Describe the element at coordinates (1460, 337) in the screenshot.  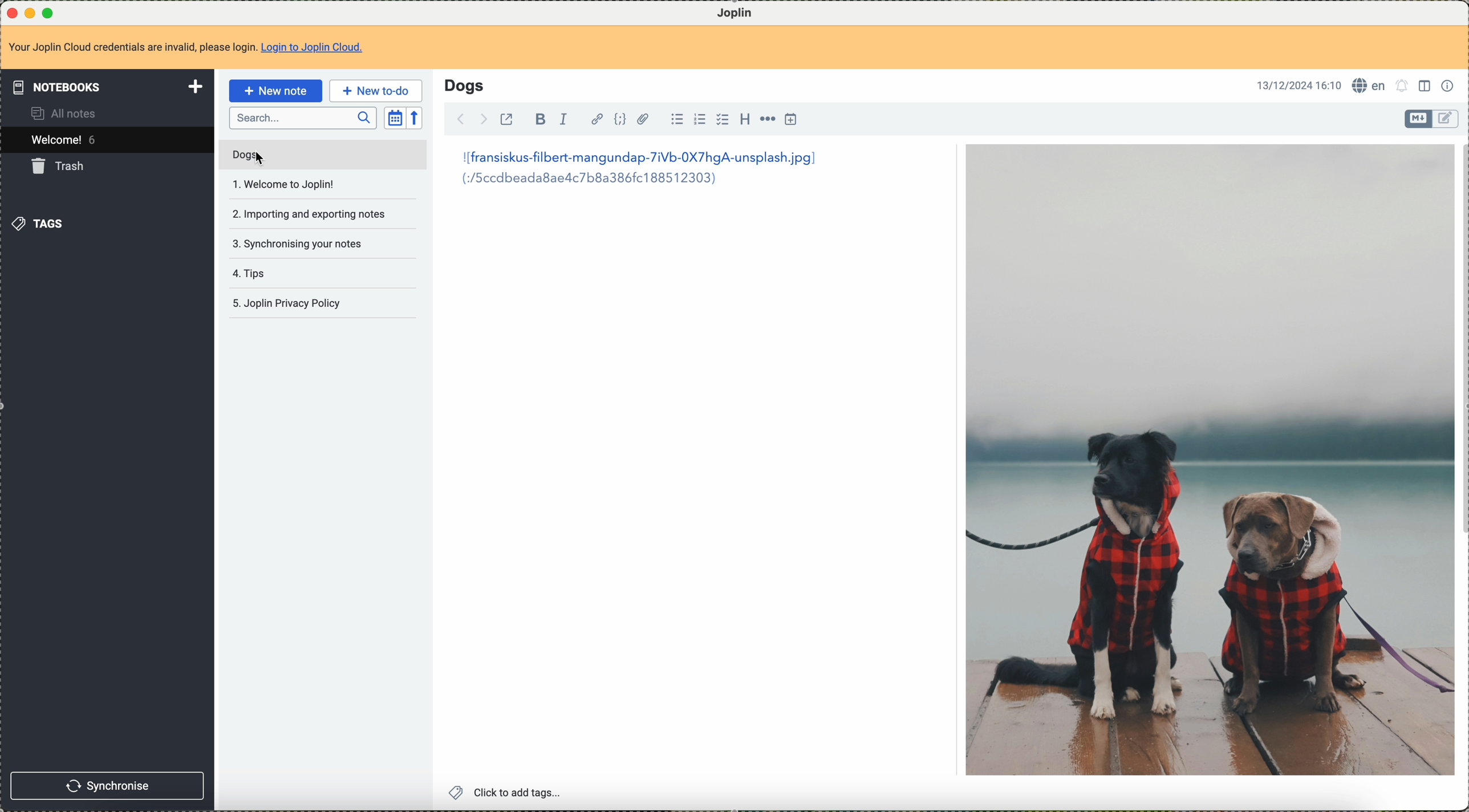
I see `scroll bar` at that location.